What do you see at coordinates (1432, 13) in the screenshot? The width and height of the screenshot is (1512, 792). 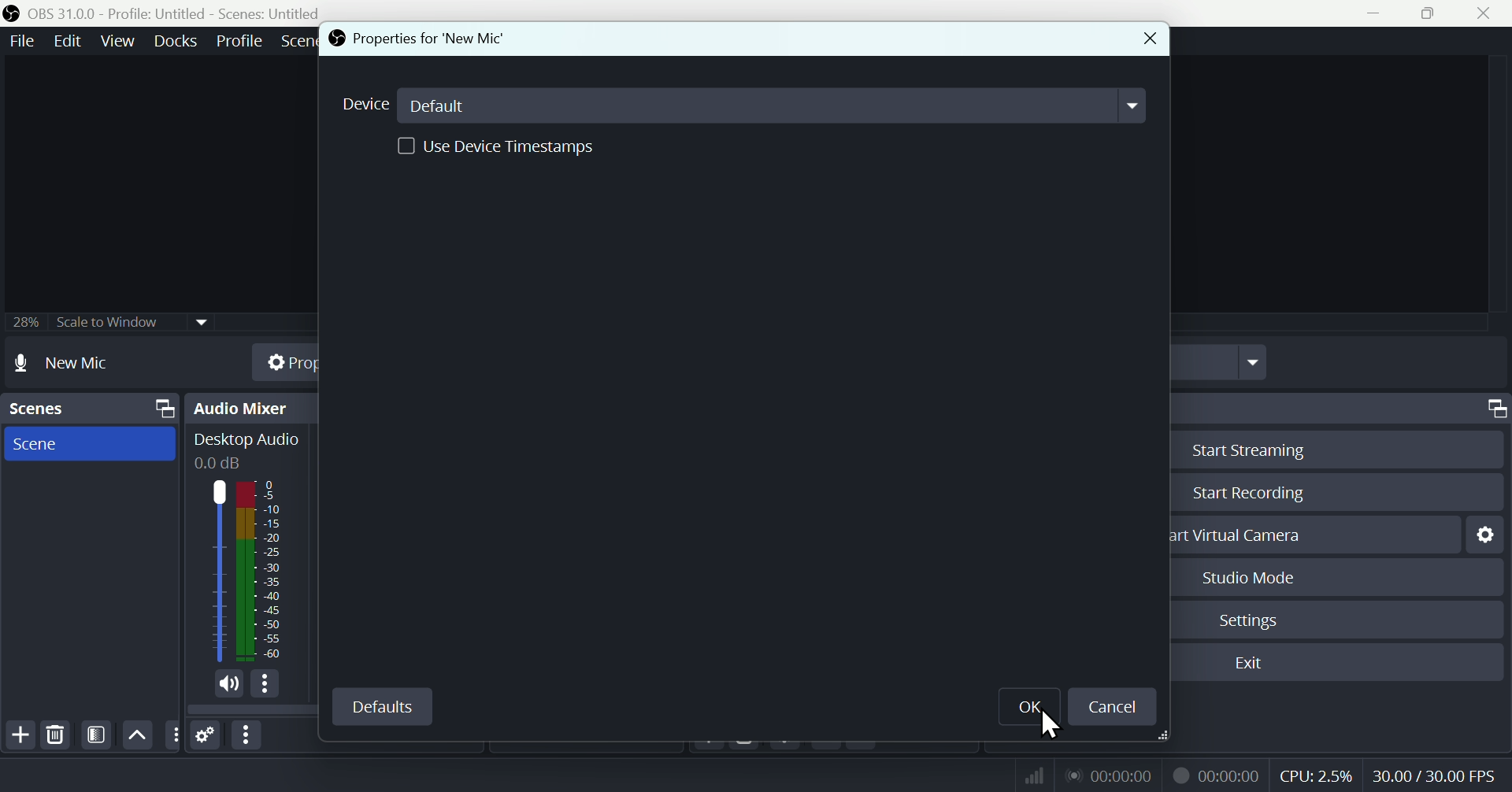 I see `Restore` at bounding box center [1432, 13].